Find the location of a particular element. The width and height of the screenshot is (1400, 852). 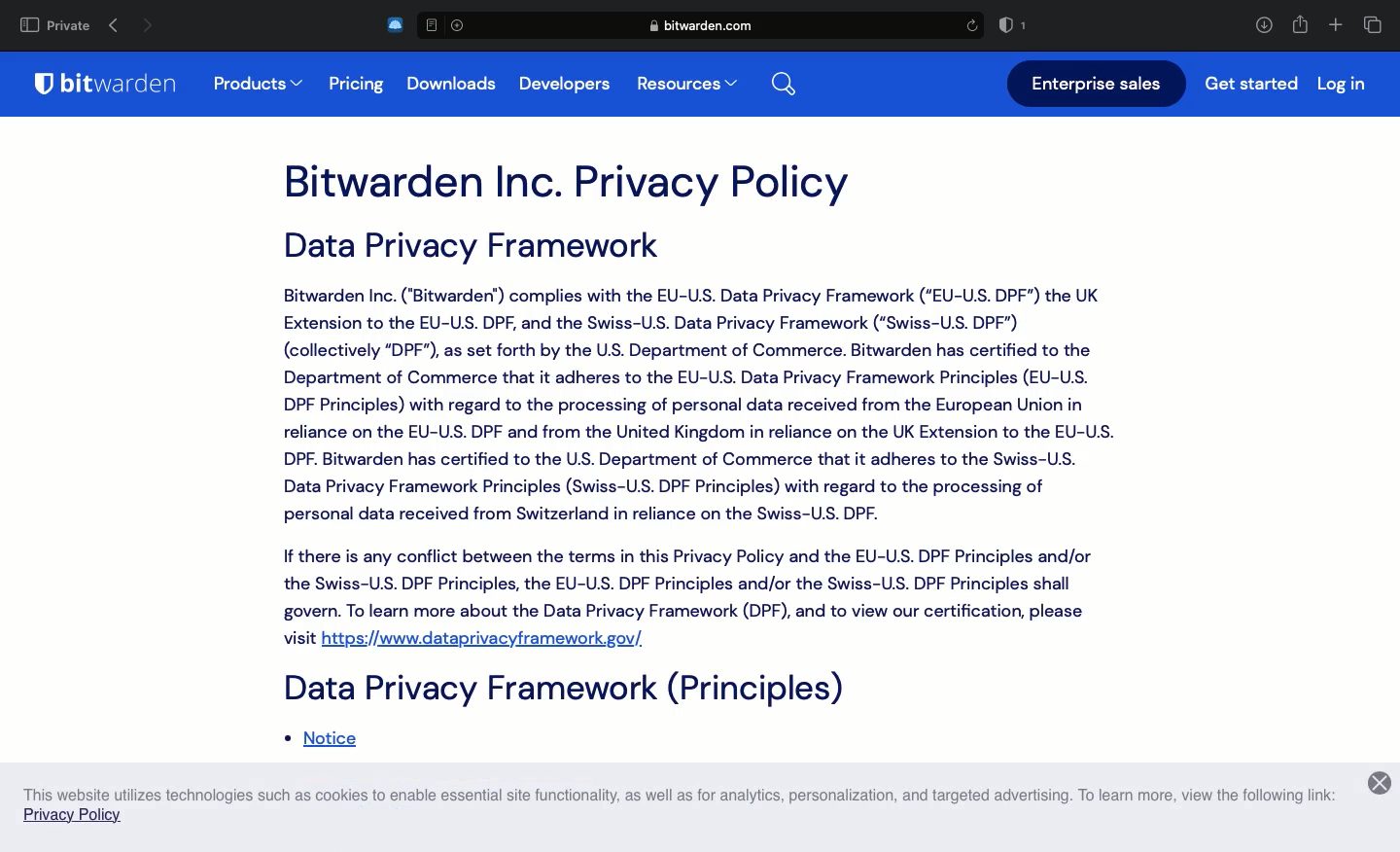

This website utilizes technologies such as cookies to enable essential site functionality, as well as for analytics, personalization, and targeted advertising. To learn more, view the following link:
Privacy Policy. is located at coordinates (676, 808).